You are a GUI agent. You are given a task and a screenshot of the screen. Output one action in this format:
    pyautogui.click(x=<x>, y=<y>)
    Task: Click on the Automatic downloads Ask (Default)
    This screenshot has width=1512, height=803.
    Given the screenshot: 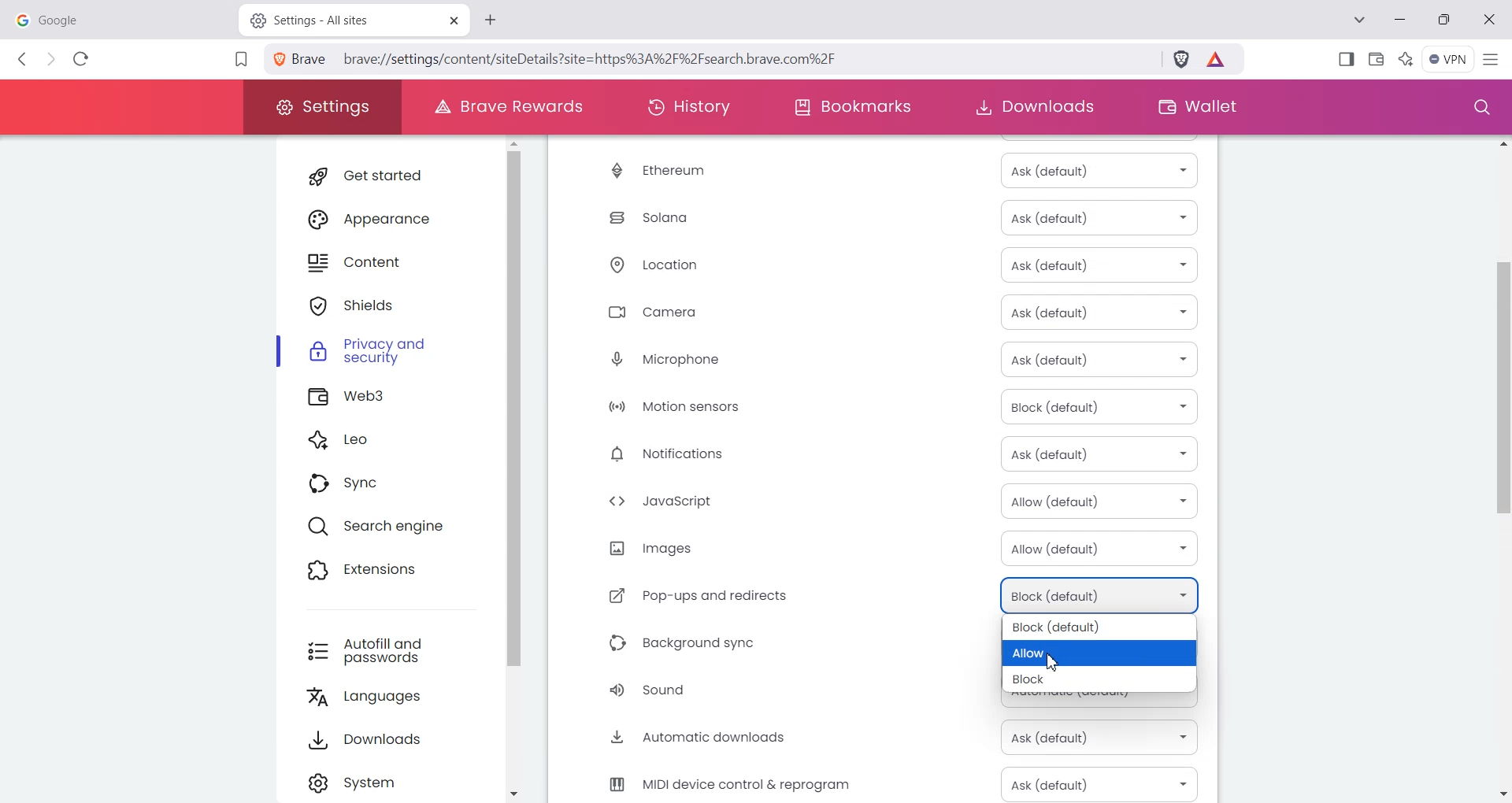 What is the action you would take?
    pyautogui.click(x=887, y=737)
    